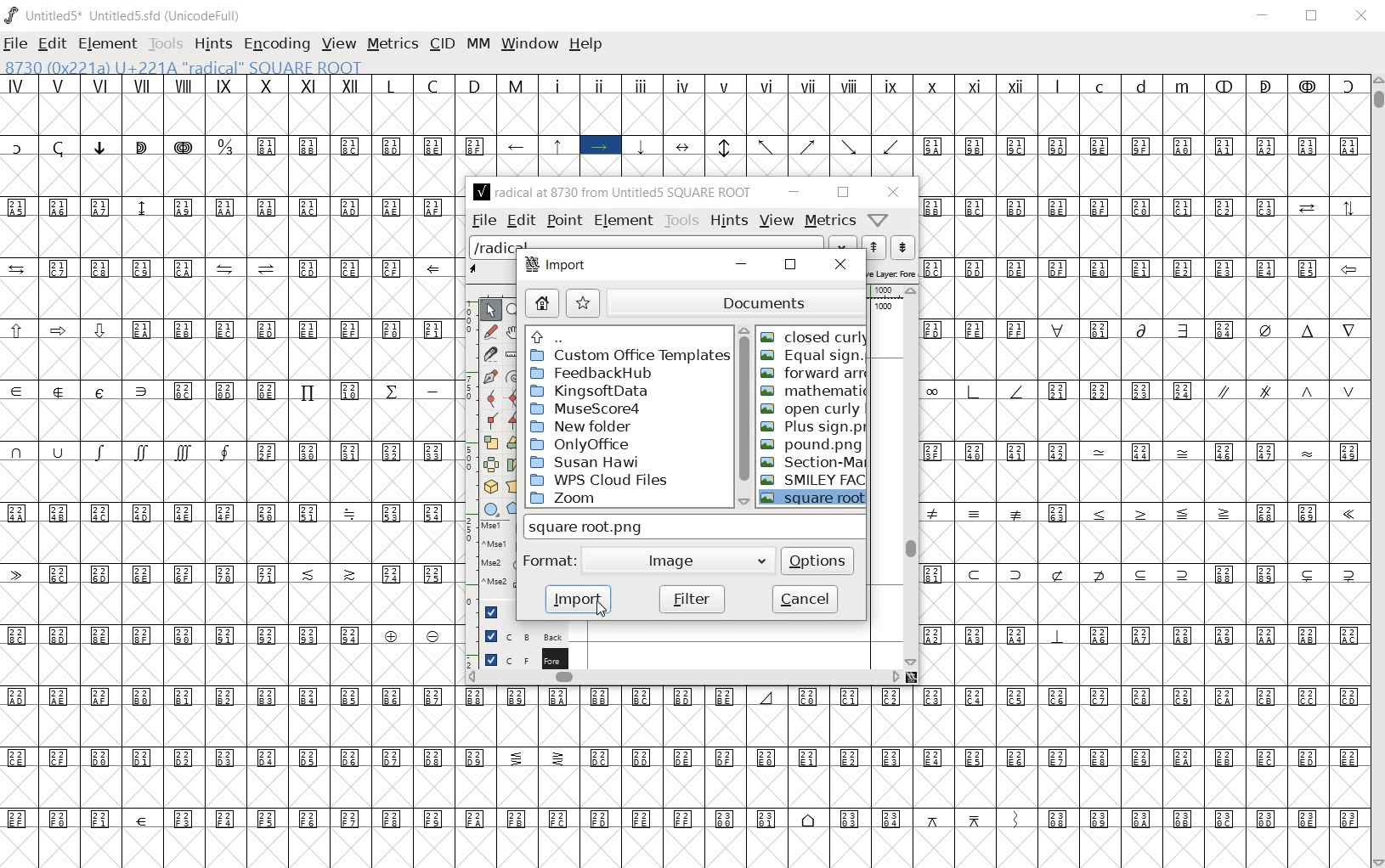 This screenshot has width=1385, height=868. I want to click on rotate the selection, so click(512, 442).